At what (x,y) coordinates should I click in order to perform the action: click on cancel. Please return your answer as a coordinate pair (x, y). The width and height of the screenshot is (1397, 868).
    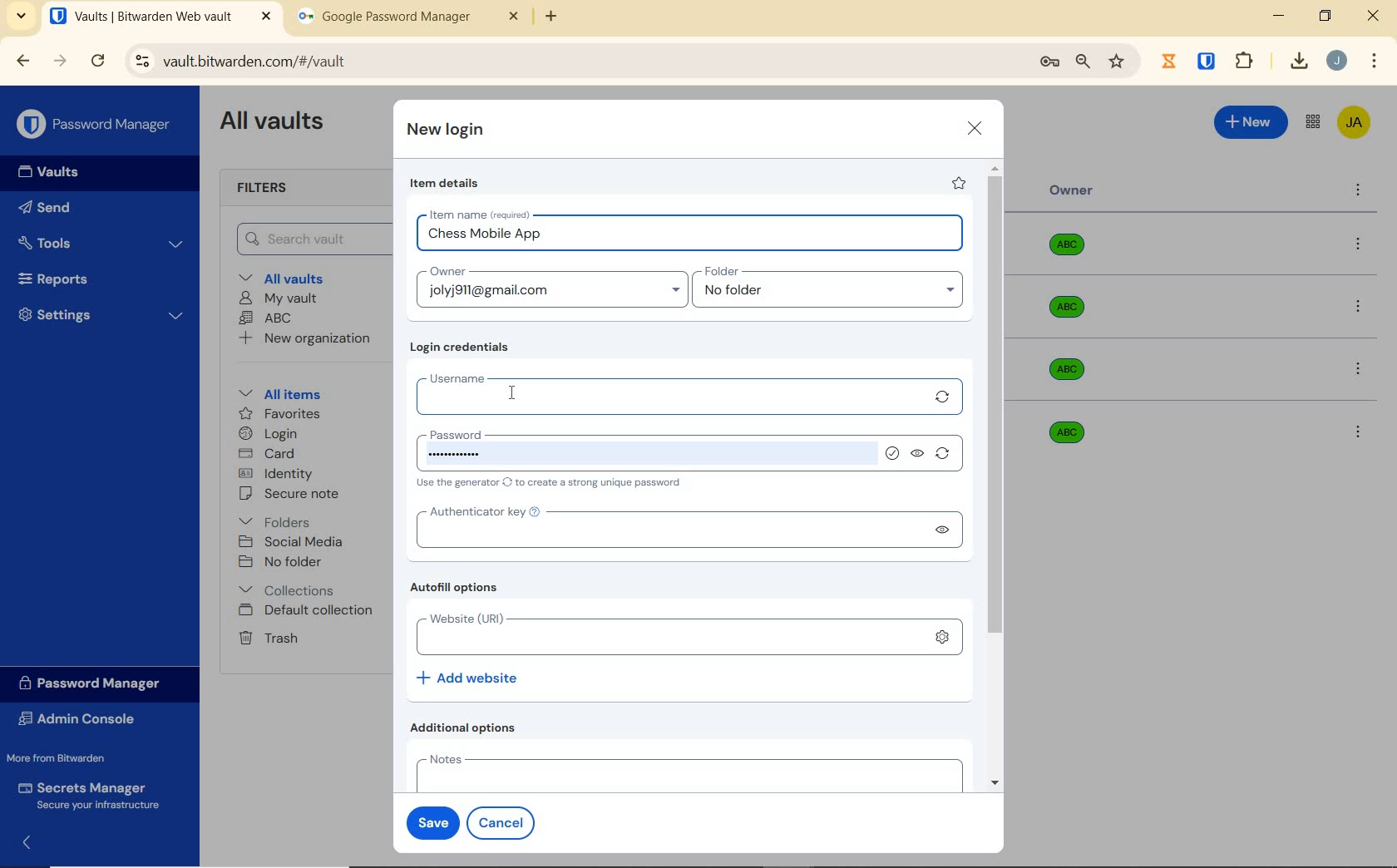
    Looking at the image, I should click on (504, 822).